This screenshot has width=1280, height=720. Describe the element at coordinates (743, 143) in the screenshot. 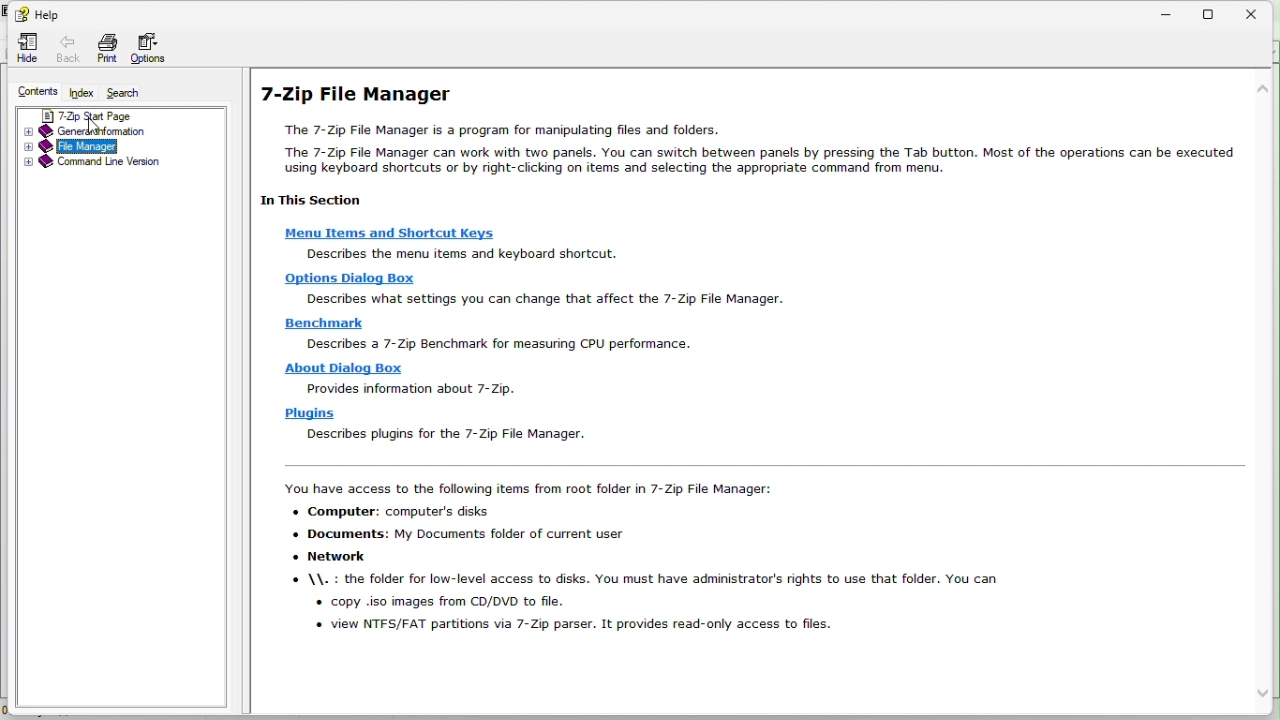

I see `7-Zip File Manager
The 7-Zip File Manager is a program for manipulating files and folders
The 7-Zip File Manager can work with two panels. You can switch between panels by pressing the Tab button. Most of the operations can be executed
using keyboard shortcuts or by right-clicking on items and selecting the appropriate command from menu.

In This Section` at that location.